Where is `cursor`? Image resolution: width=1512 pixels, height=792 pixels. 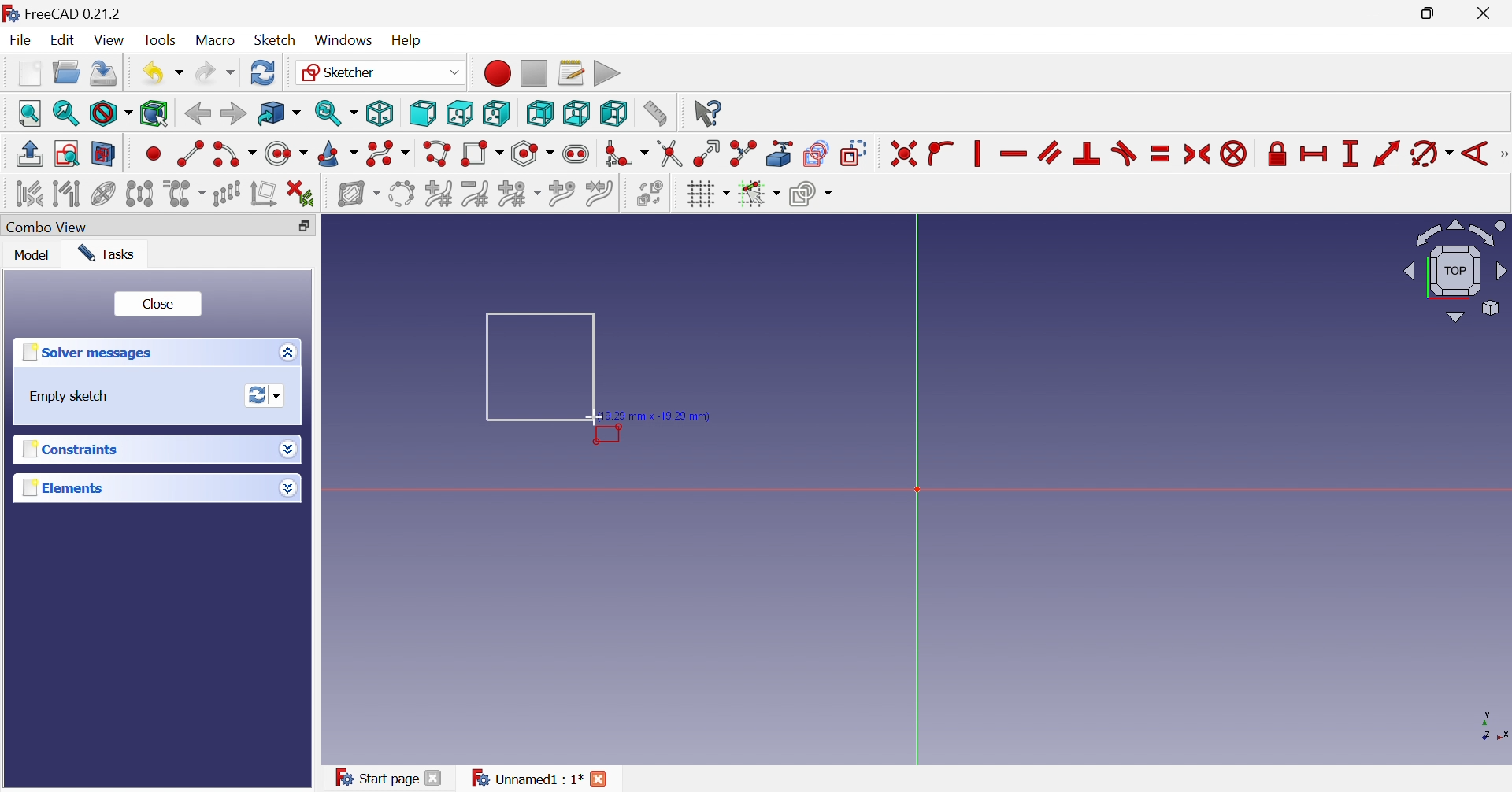 cursor is located at coordinates (594, 417).